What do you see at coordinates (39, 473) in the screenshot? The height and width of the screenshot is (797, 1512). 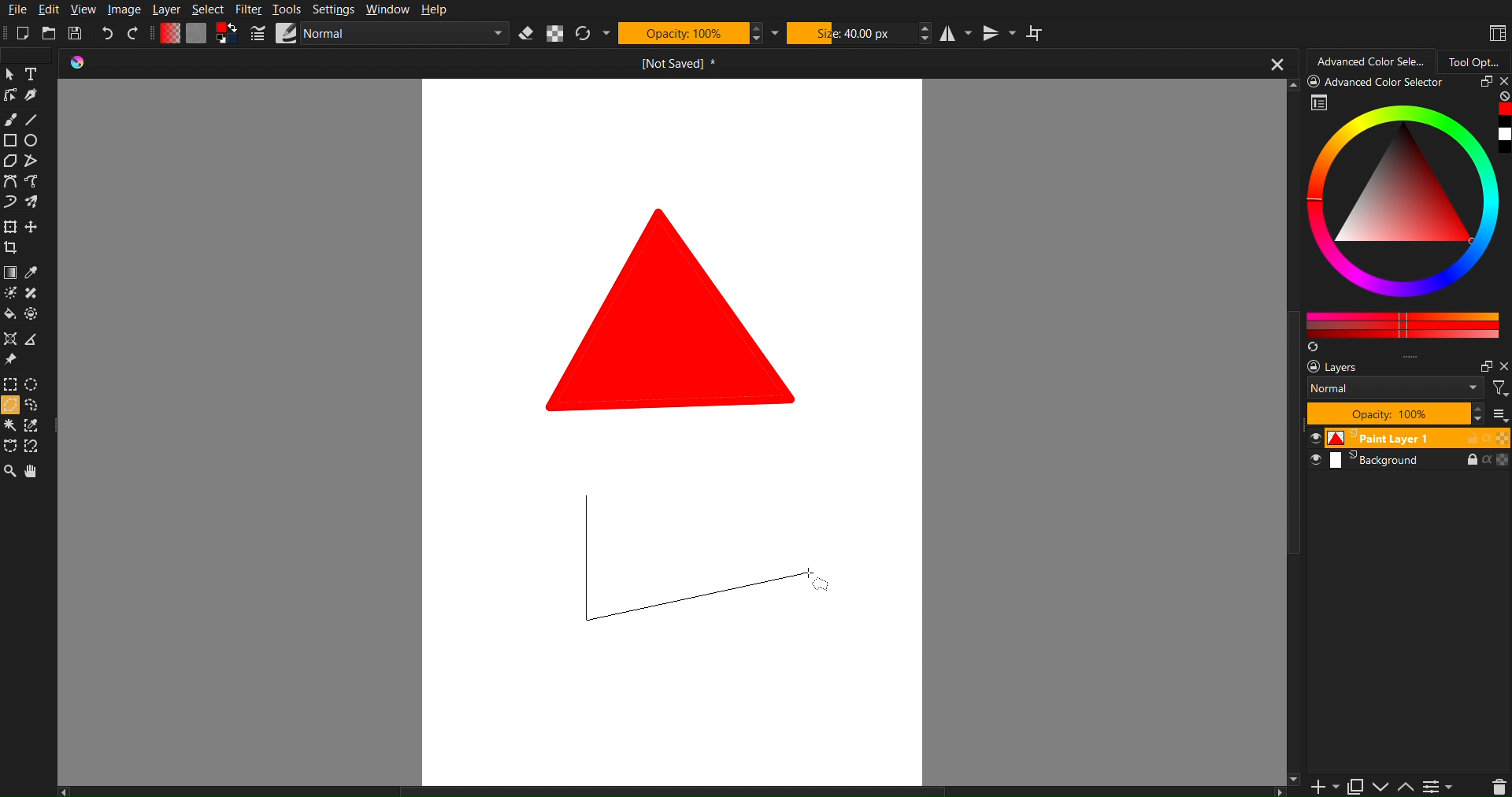 I see `Pan` at bounding box center [39, 473].